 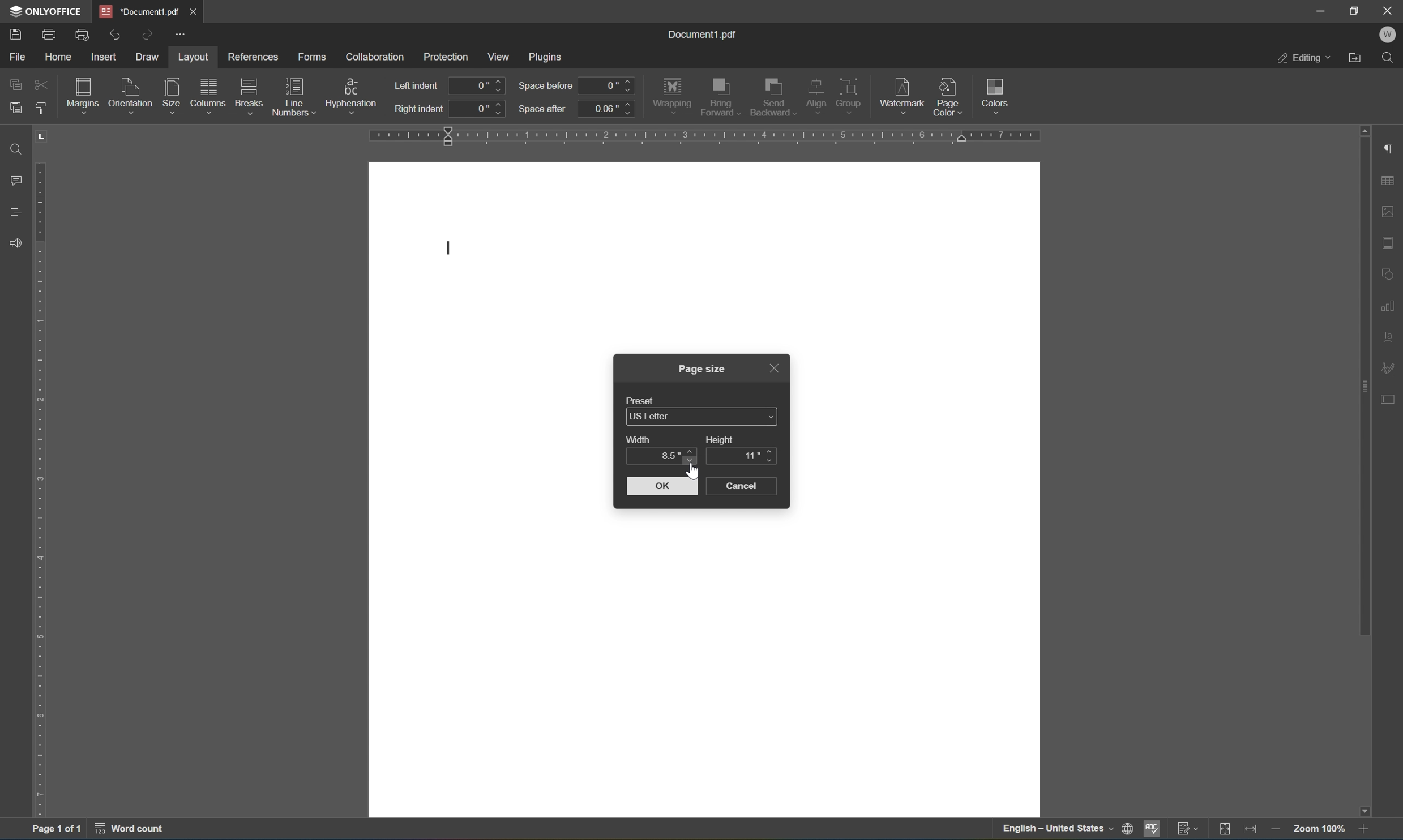 What do you see at coordinates (641, 439) in the screenshot?
I see `width` at bounding box center [641, 439].